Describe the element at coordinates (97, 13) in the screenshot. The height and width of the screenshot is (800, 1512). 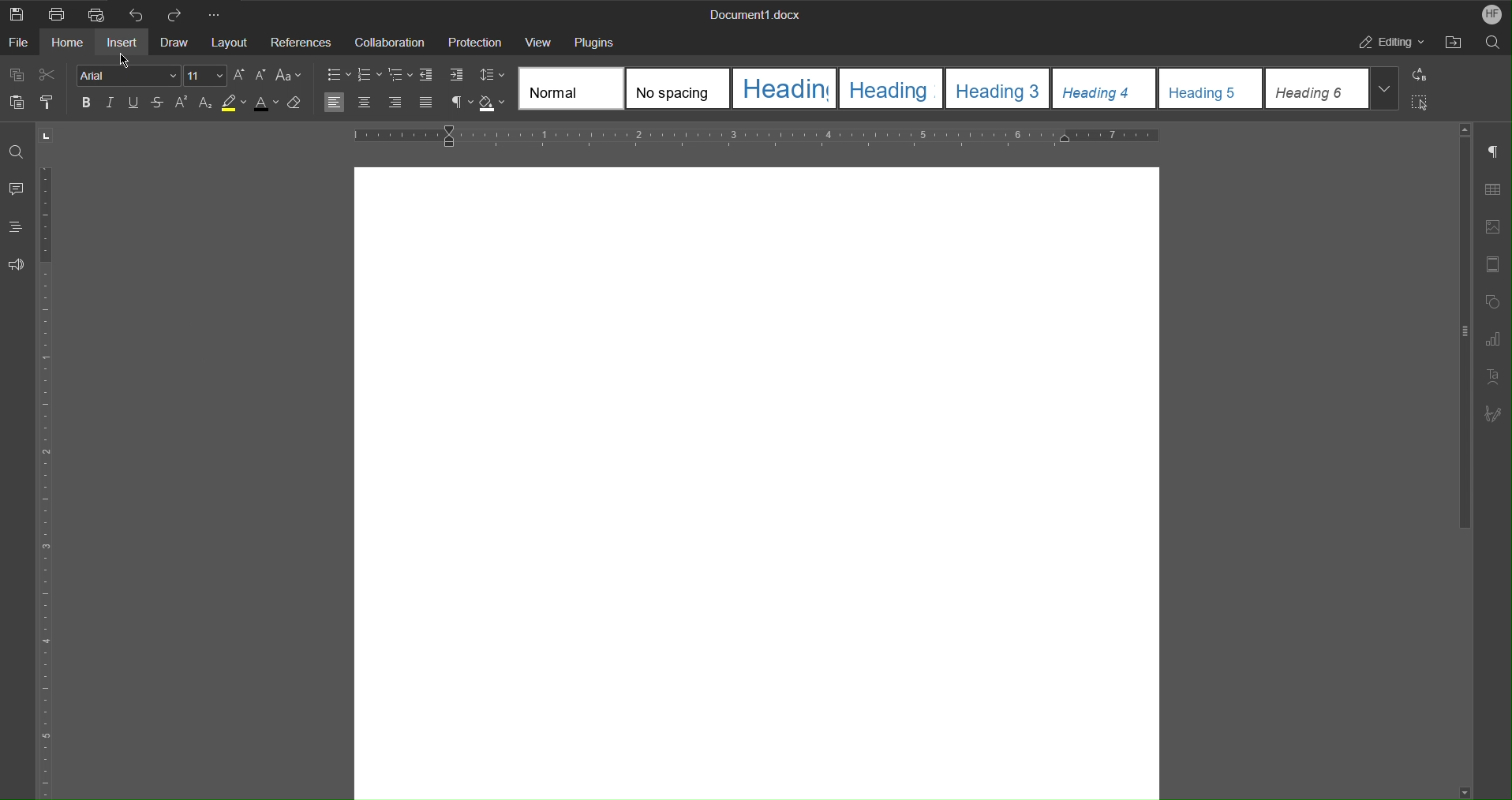
I see `Quick Print` at that location.